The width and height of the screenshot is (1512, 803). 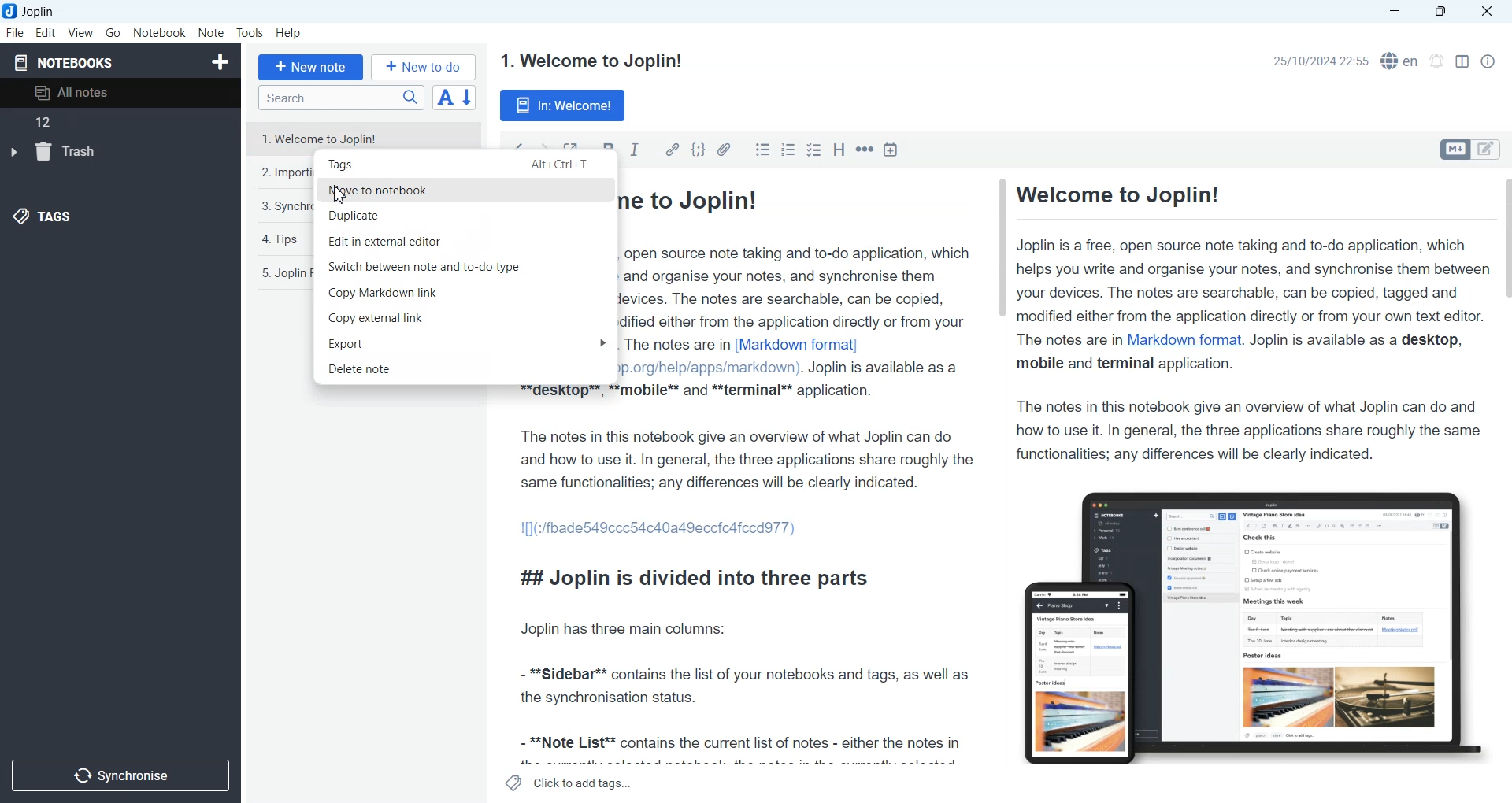 I want to click on Set timer, so click(x=1437, y=61).